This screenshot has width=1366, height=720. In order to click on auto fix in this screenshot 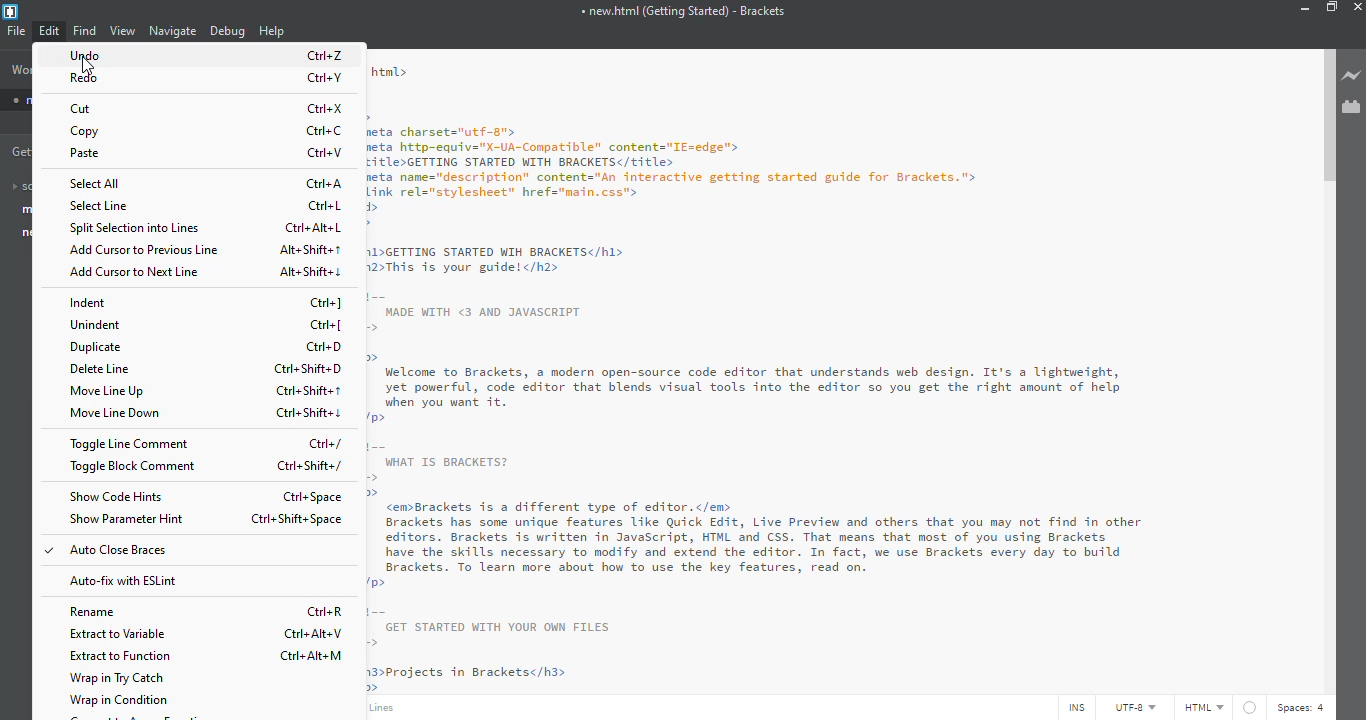, I will do `click(123, 581)`.